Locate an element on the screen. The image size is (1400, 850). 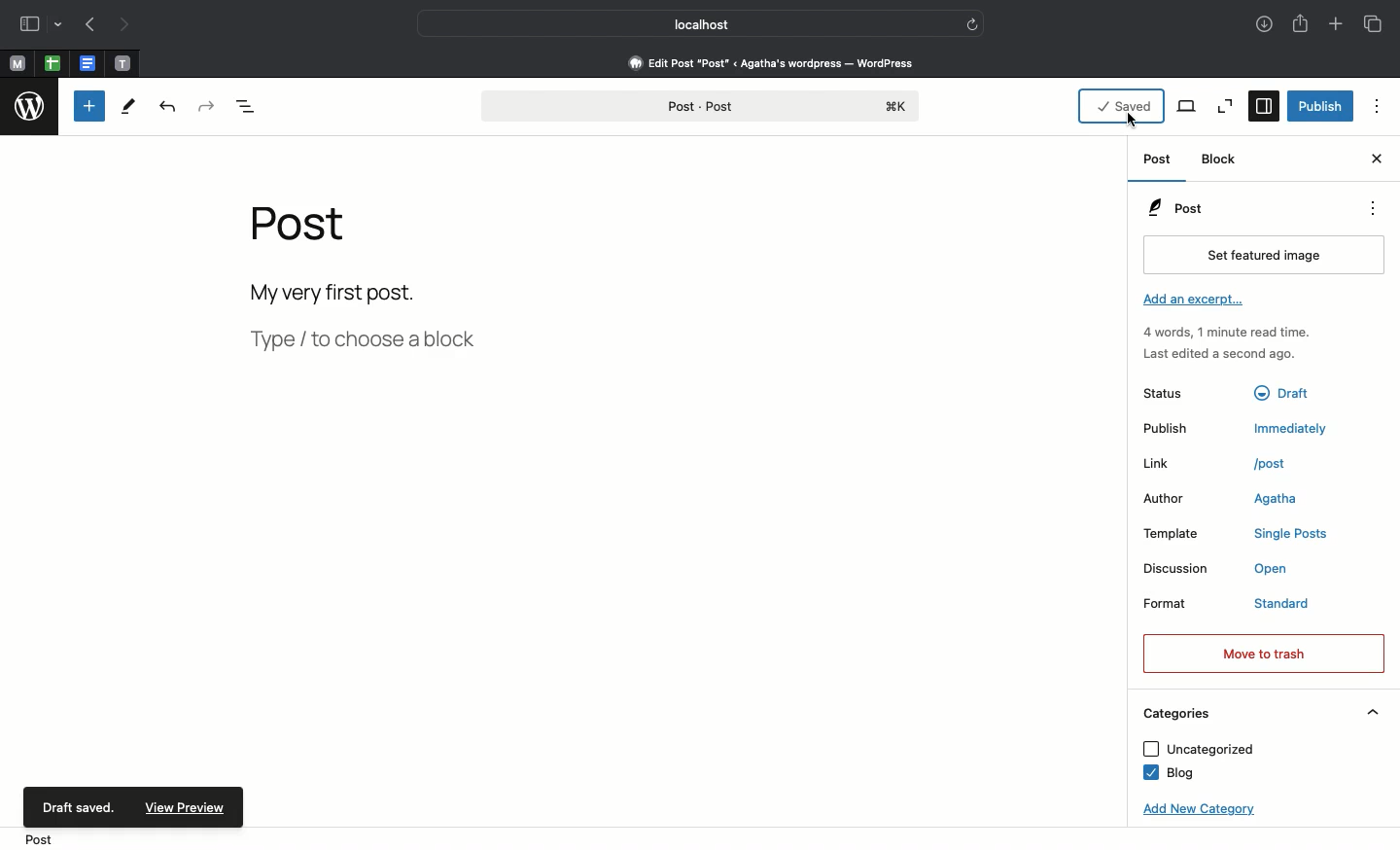
Undo is located at coordinates (167, 109).